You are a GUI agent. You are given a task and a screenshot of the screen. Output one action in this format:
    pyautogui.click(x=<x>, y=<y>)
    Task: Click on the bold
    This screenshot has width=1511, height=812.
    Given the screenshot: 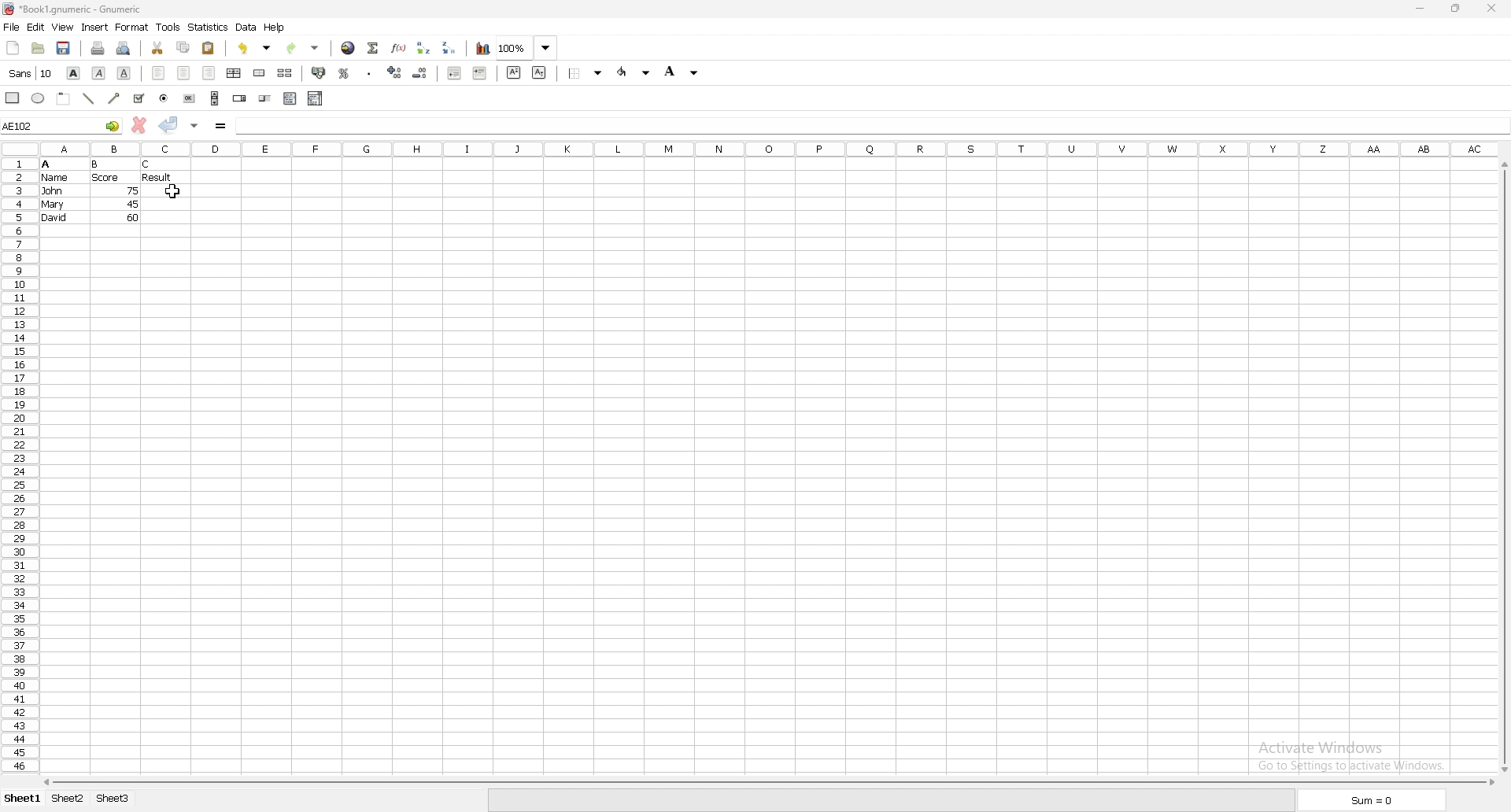 What is the action you would take?
    pyautogui.click(x=74, y=73)
    